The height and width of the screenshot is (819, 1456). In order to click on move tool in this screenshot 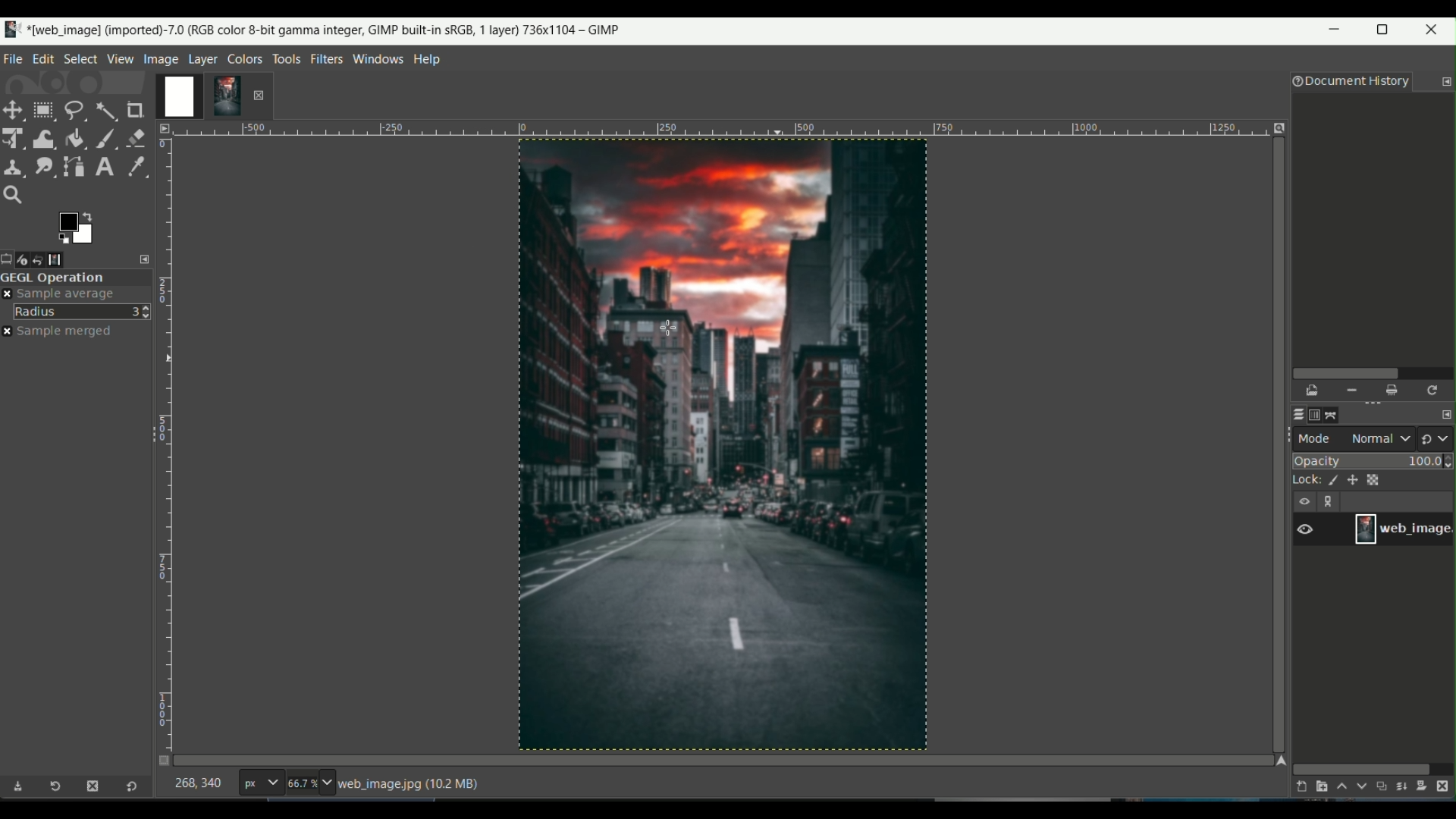, I will do `click(14, 110)`.